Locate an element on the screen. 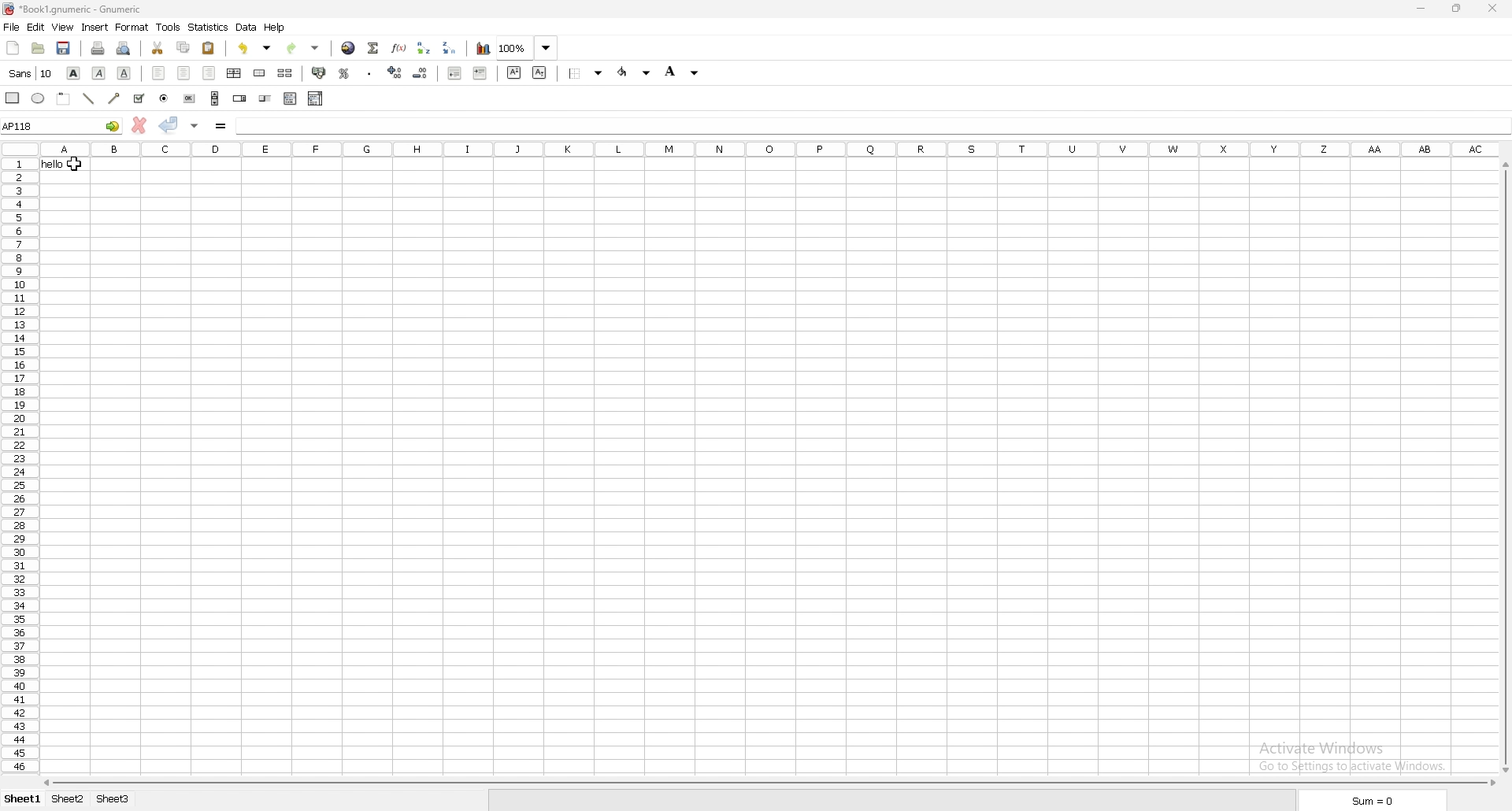 The width and height of the screenshot is (1512, 811). print preview is located at coordinates (124, 49).